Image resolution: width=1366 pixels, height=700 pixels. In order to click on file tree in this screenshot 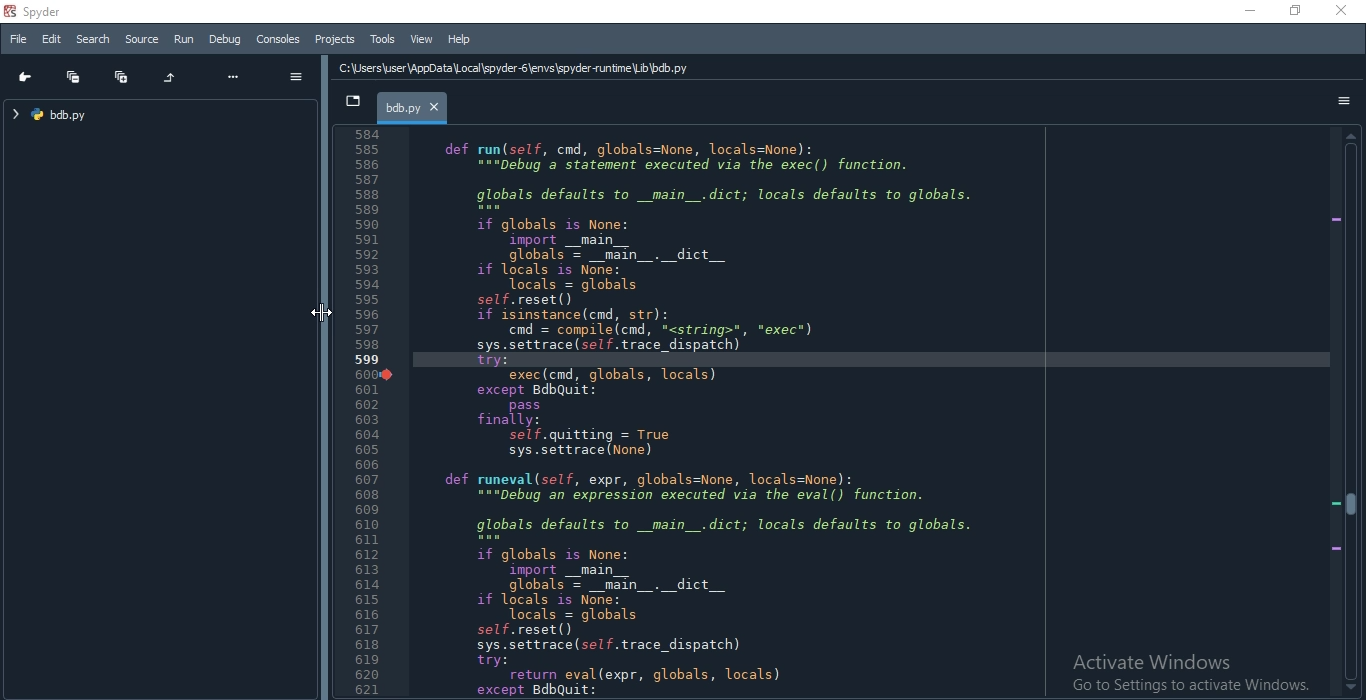, I will do `click(62, 114)`.